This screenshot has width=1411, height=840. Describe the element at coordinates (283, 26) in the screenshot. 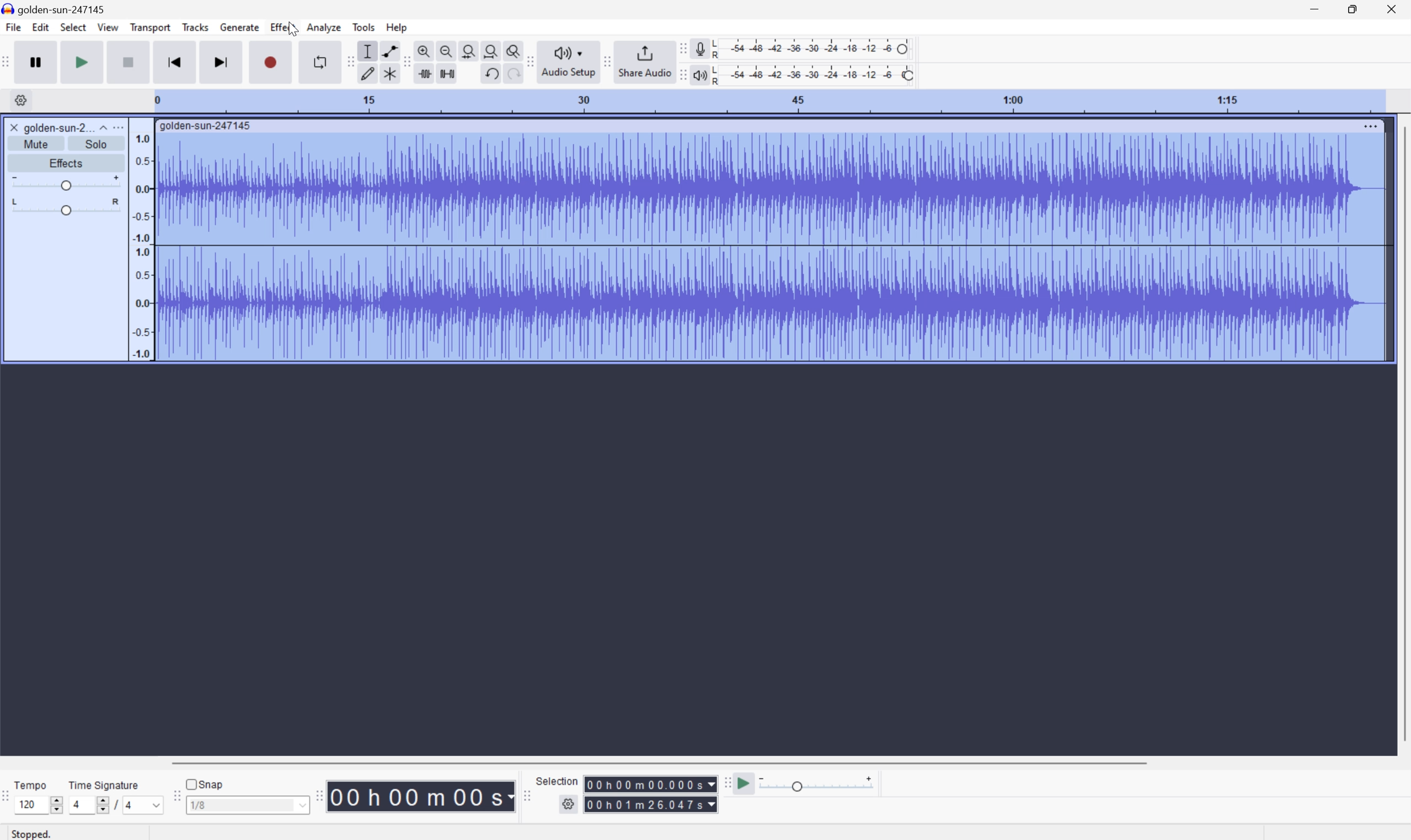

I see `Effect` at that location.